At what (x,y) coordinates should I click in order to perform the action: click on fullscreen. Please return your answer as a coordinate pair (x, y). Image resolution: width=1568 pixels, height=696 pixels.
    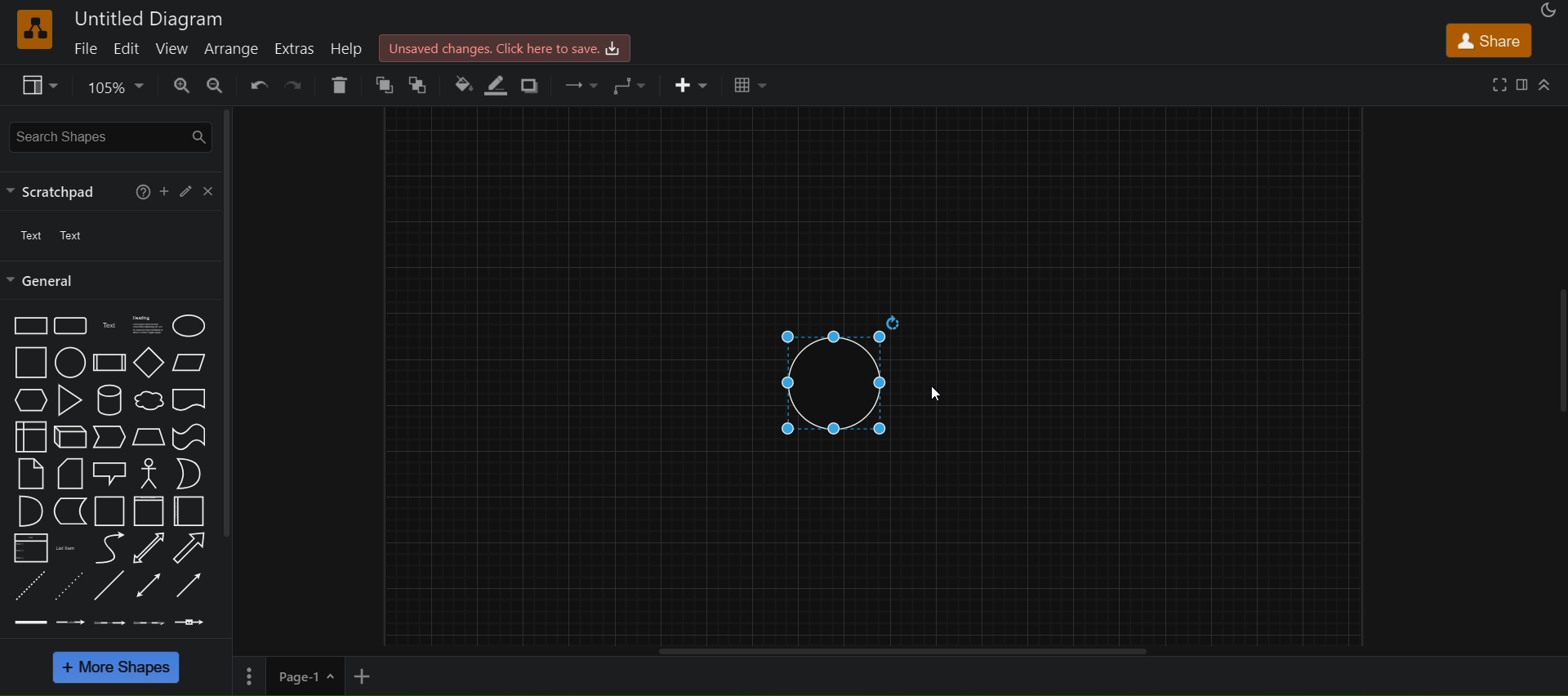
    Looking at the image, I should click on (1496, 83).